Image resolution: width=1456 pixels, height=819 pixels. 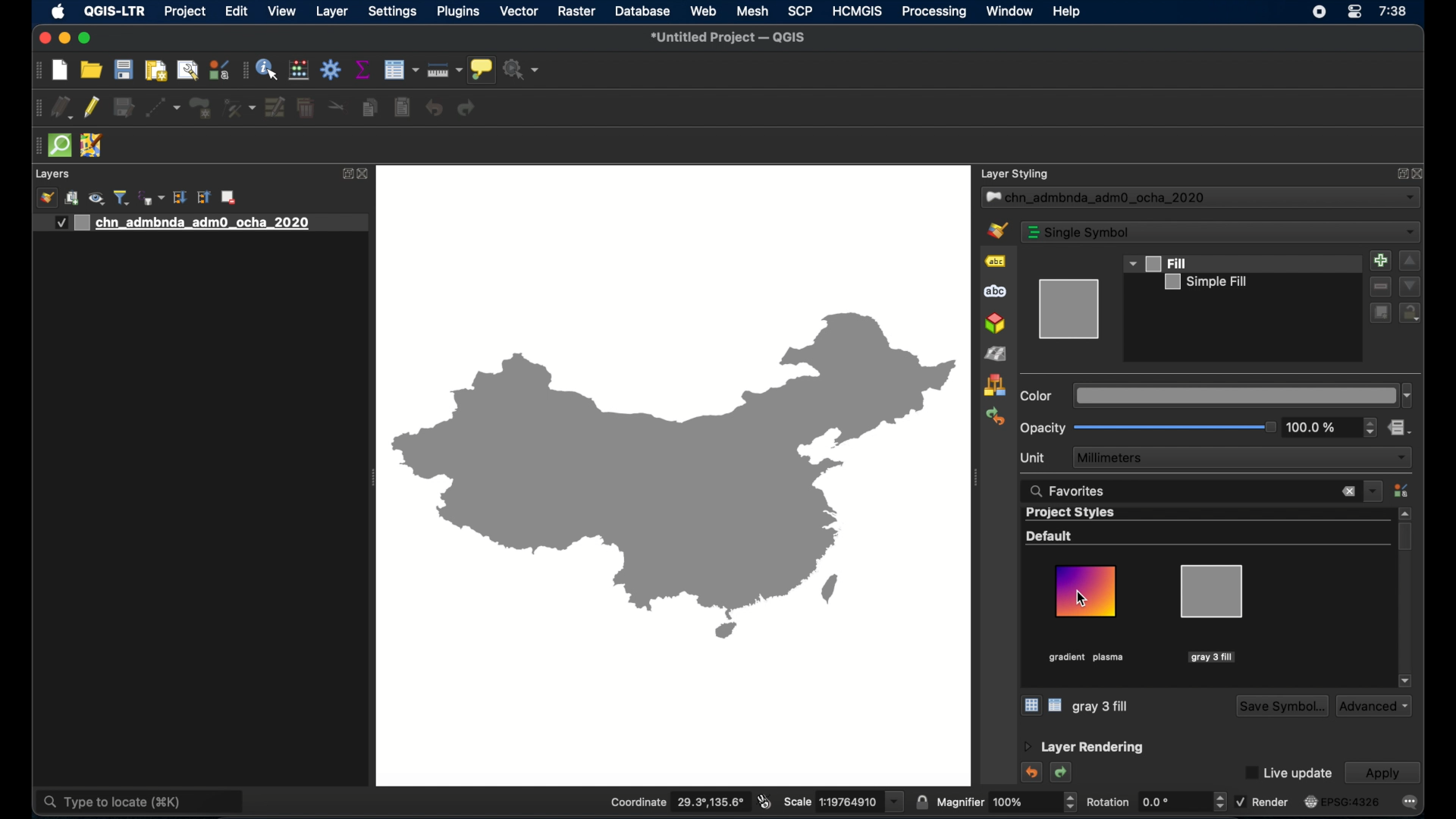 What do you see at coordinates (1200, 198) in the screenshot?
I see `layer dropdown` at bounding box center [1200, 198].